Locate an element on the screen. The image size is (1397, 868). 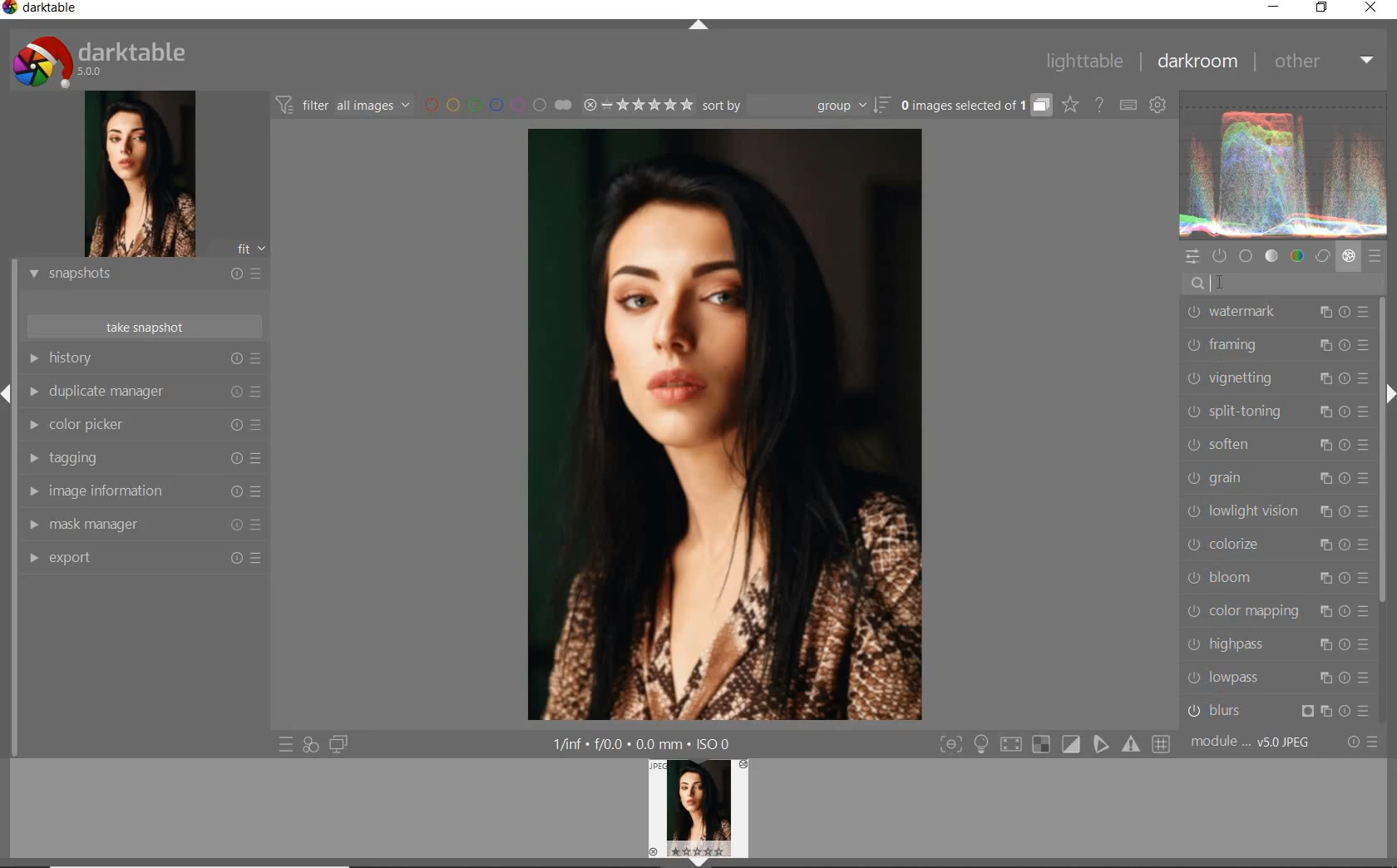
history is located at coordinates (146, 358).